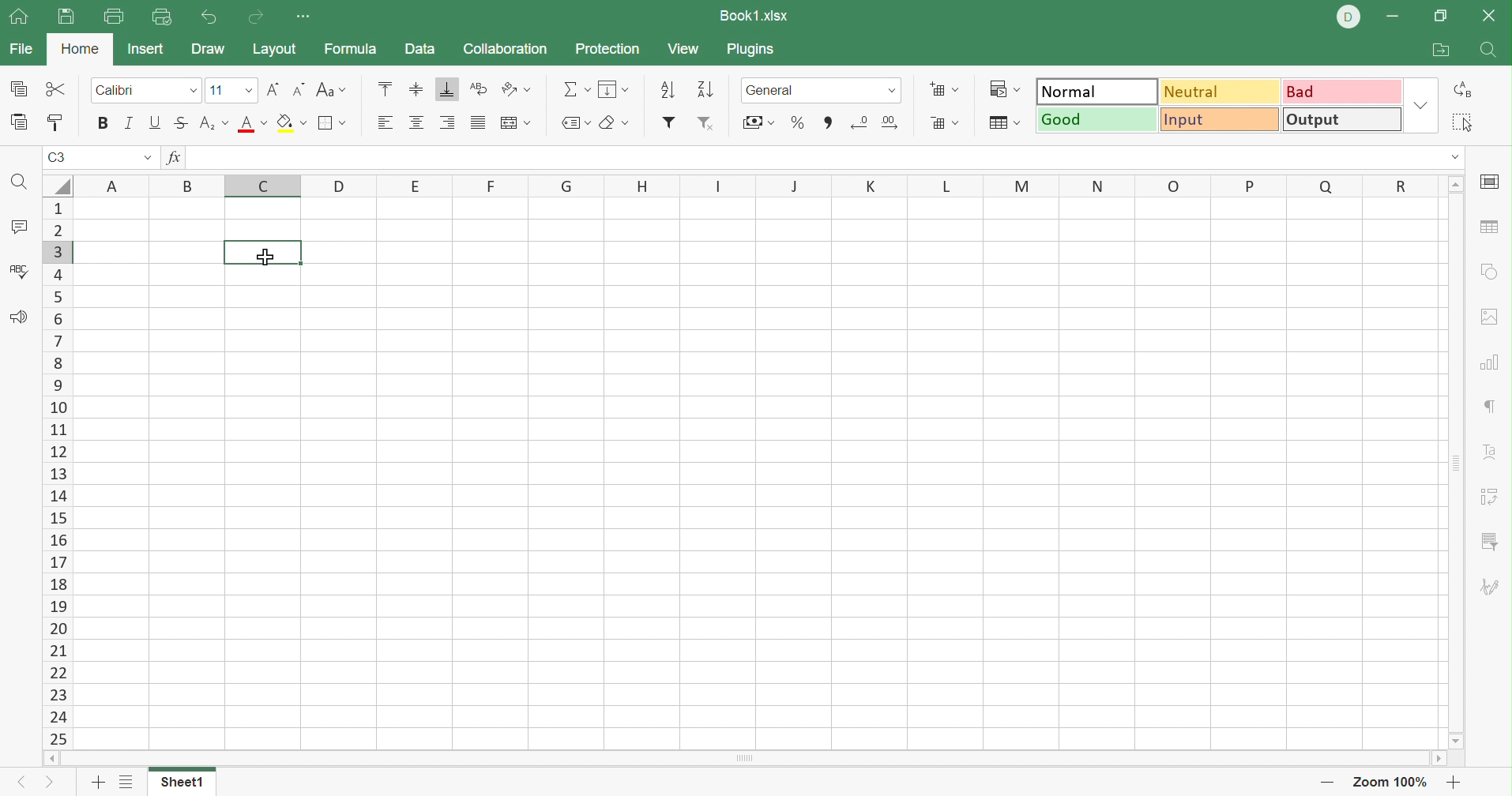 The width and height of the screenshot is (1512, 796). Describe the element at coordinates (21, 49) in the screenshot. I see `File` at that location.